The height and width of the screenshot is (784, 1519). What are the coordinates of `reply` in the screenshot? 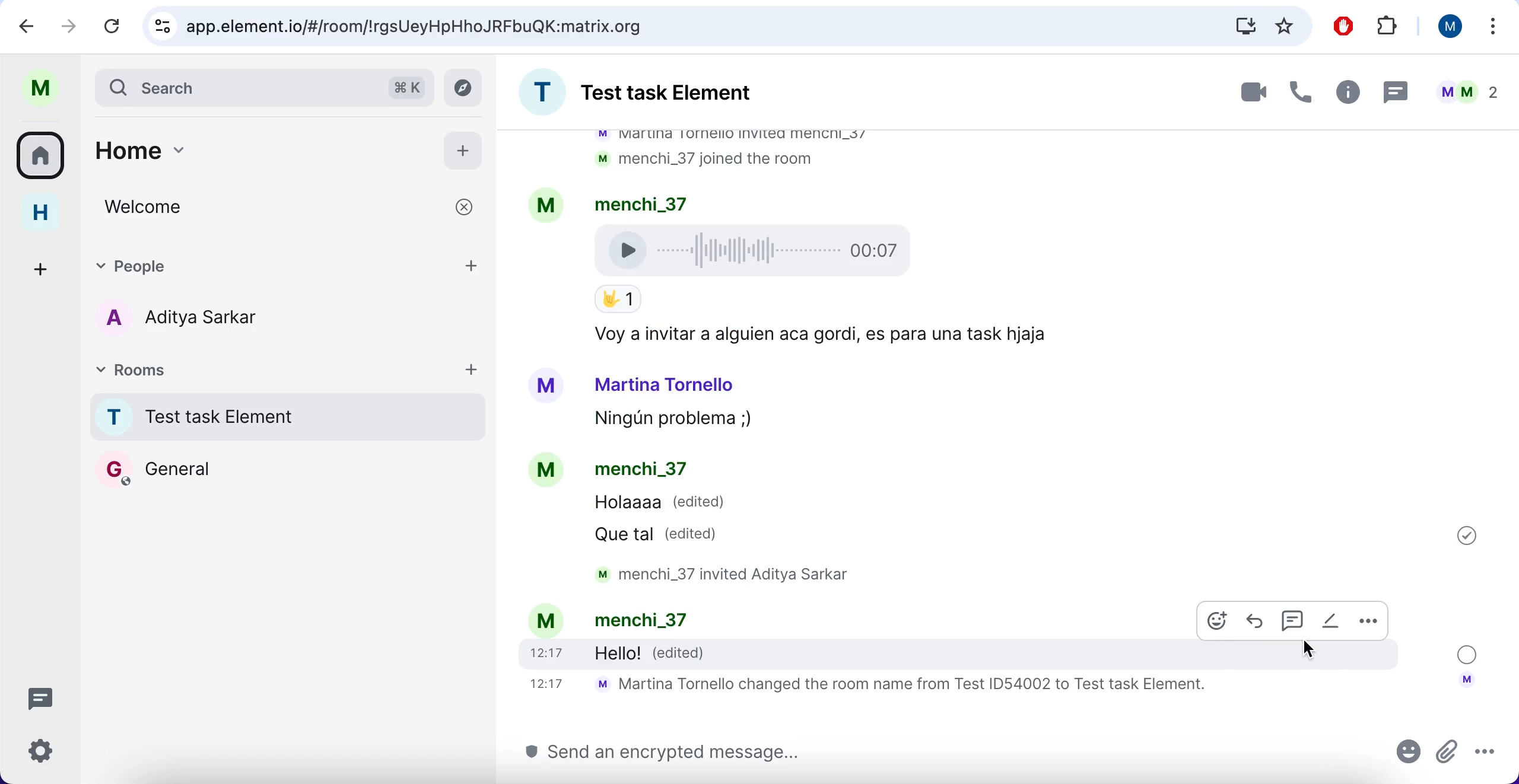 It's located at (1251, 620).